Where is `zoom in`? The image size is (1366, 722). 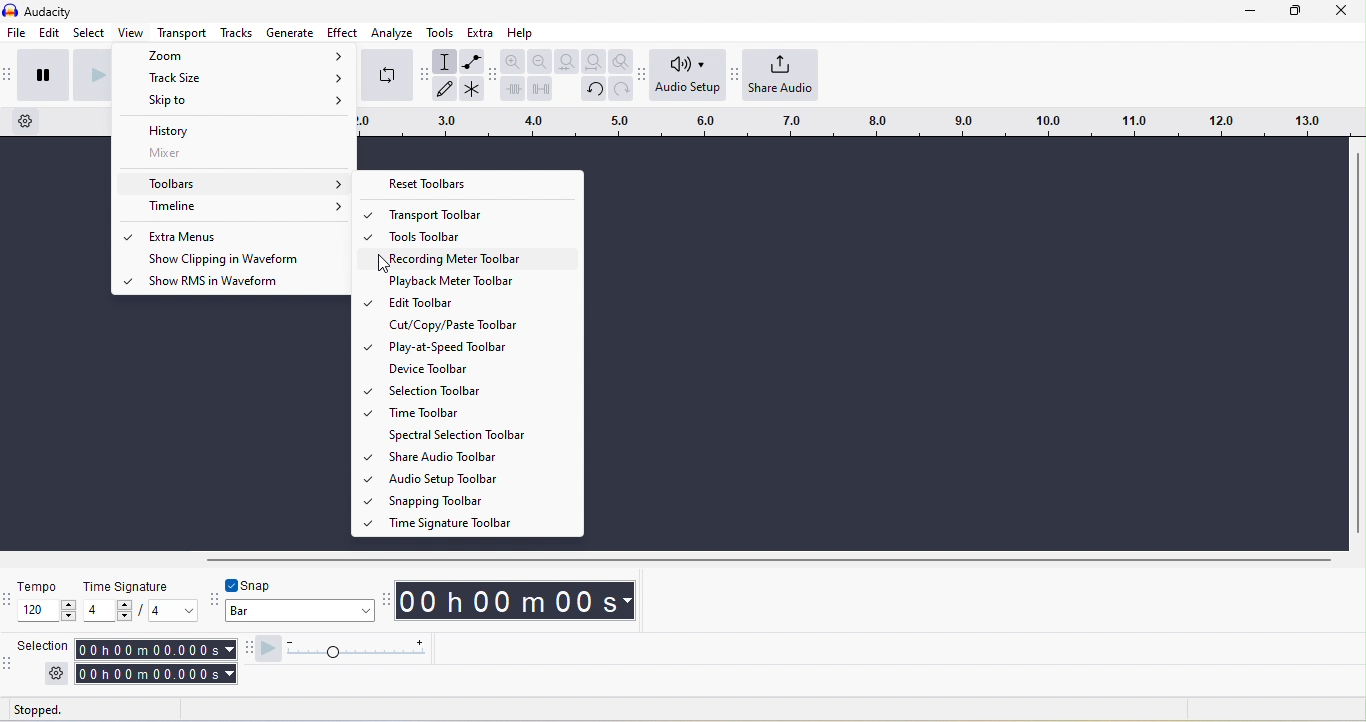
zoom in is located at coordinates (513, 60).